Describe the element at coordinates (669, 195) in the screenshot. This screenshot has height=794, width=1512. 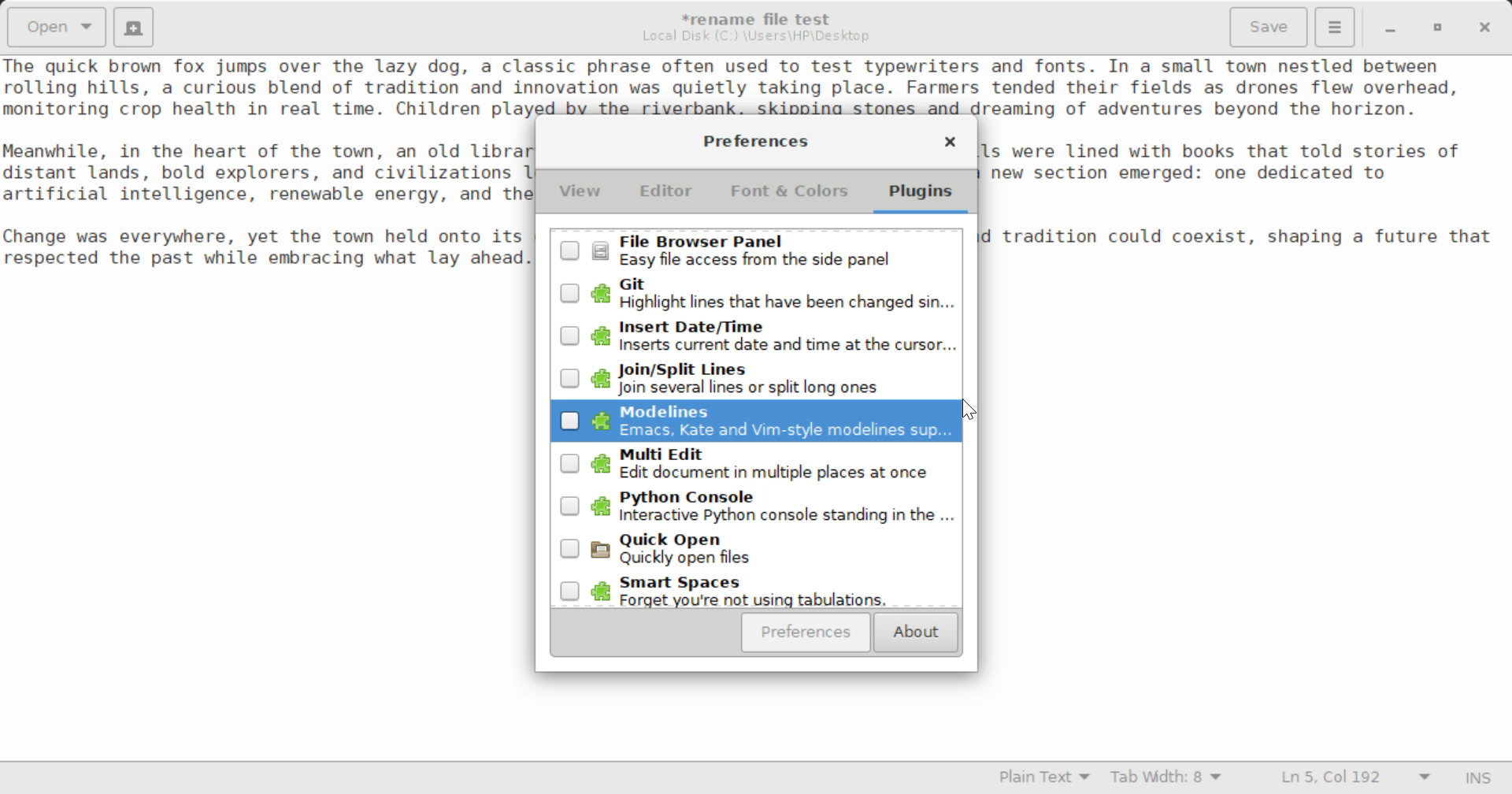
I see `Editor Tab` at that location.